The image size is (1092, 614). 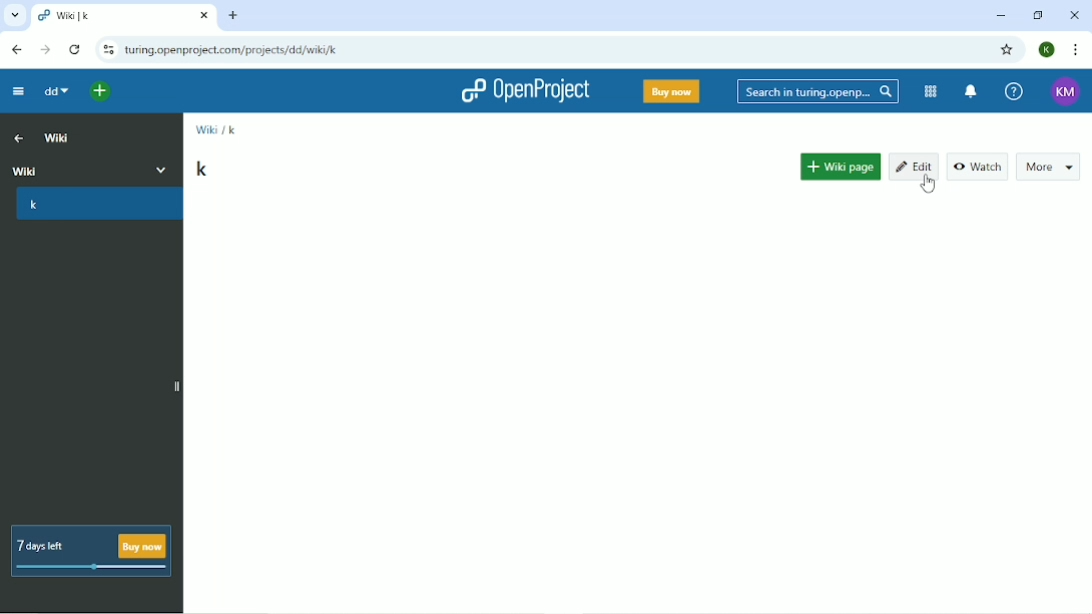 I want to click on Minimize, so click(x=999, y=15).